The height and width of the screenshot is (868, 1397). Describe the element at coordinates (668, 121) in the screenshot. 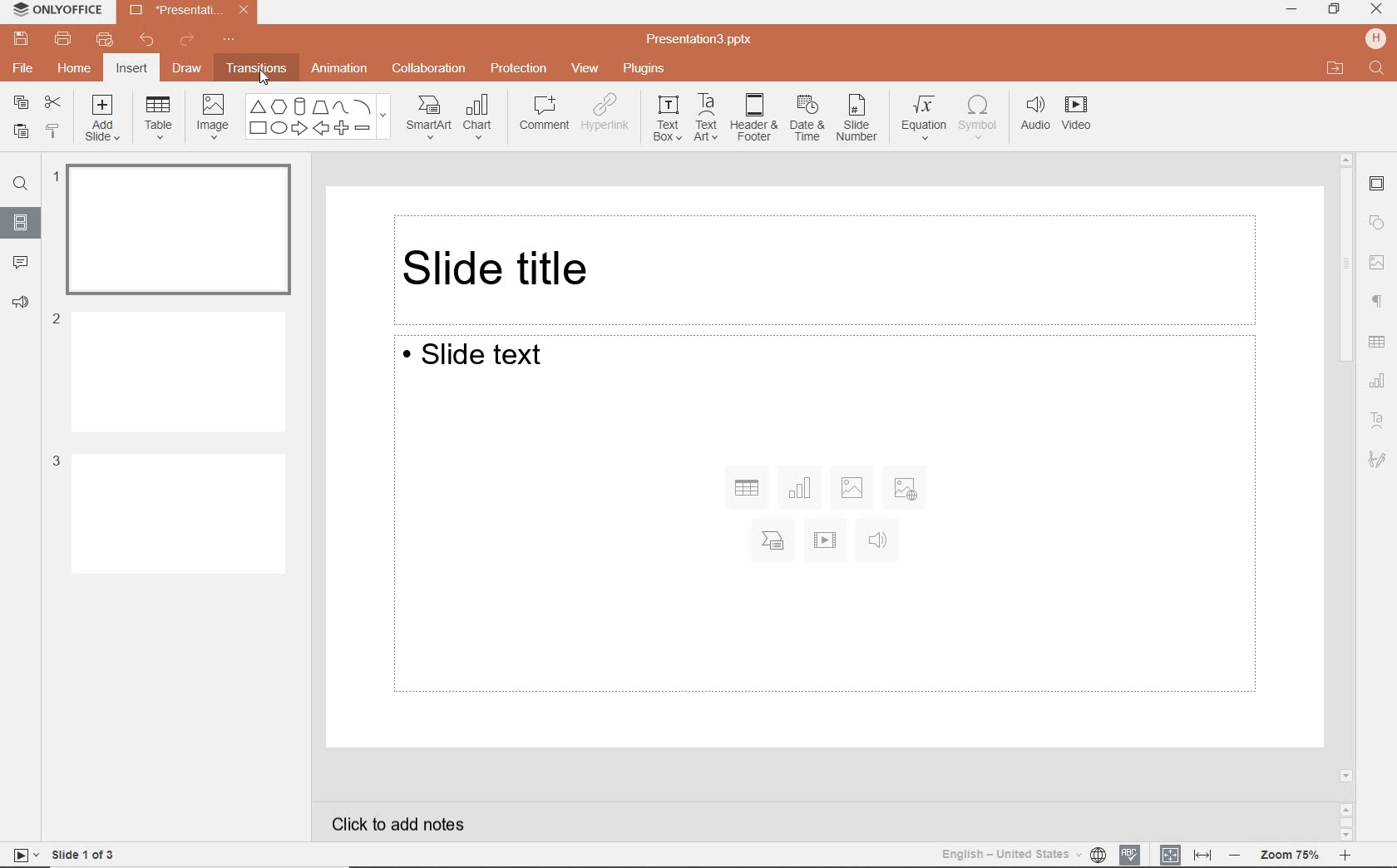

I see `TEXT BOX` at that location.